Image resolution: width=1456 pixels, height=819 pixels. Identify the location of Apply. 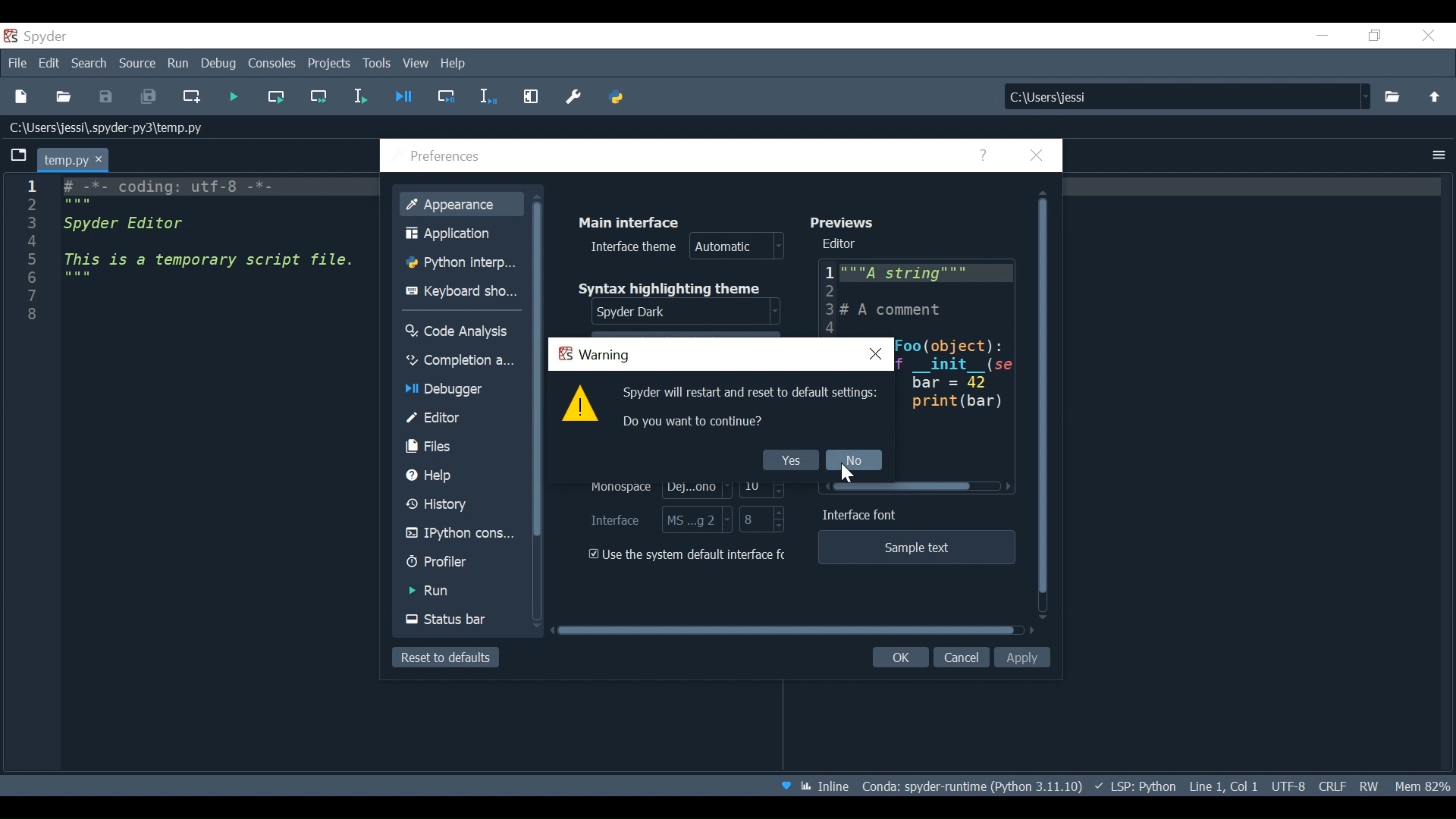
(1022, 657).